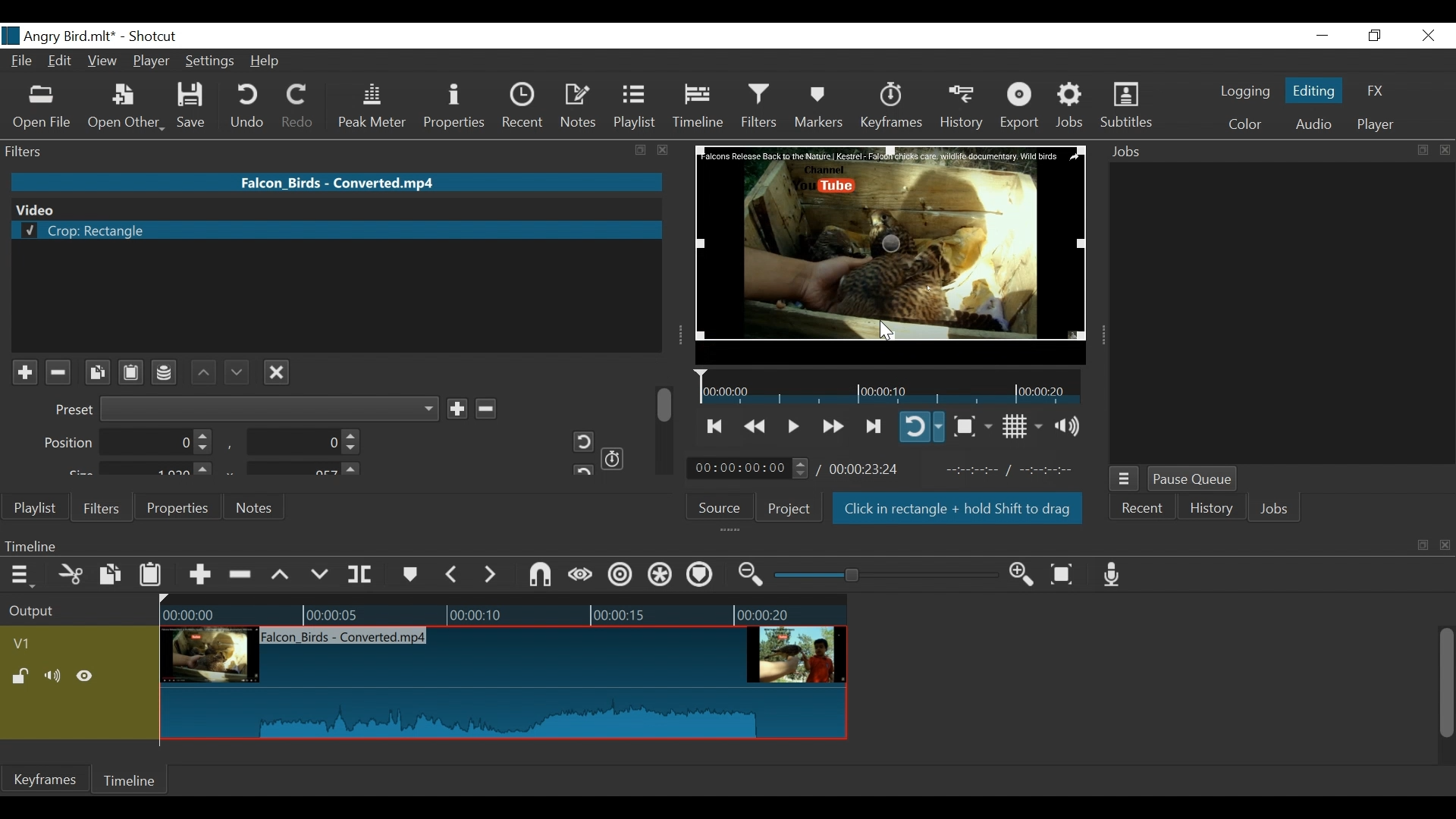 This screenshot has height=819, width=1456. I want to click on Jobs, so click(1275, 510).